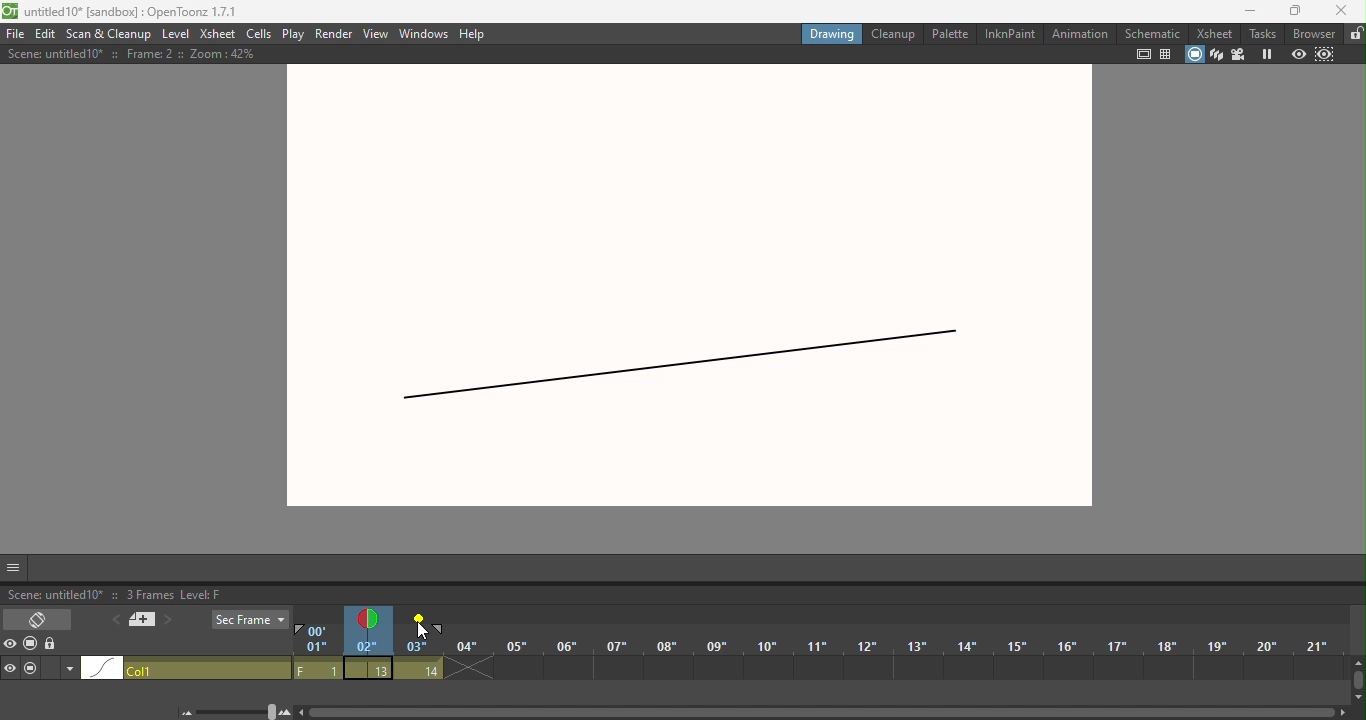  I want to click on 13, so click(368, 668).